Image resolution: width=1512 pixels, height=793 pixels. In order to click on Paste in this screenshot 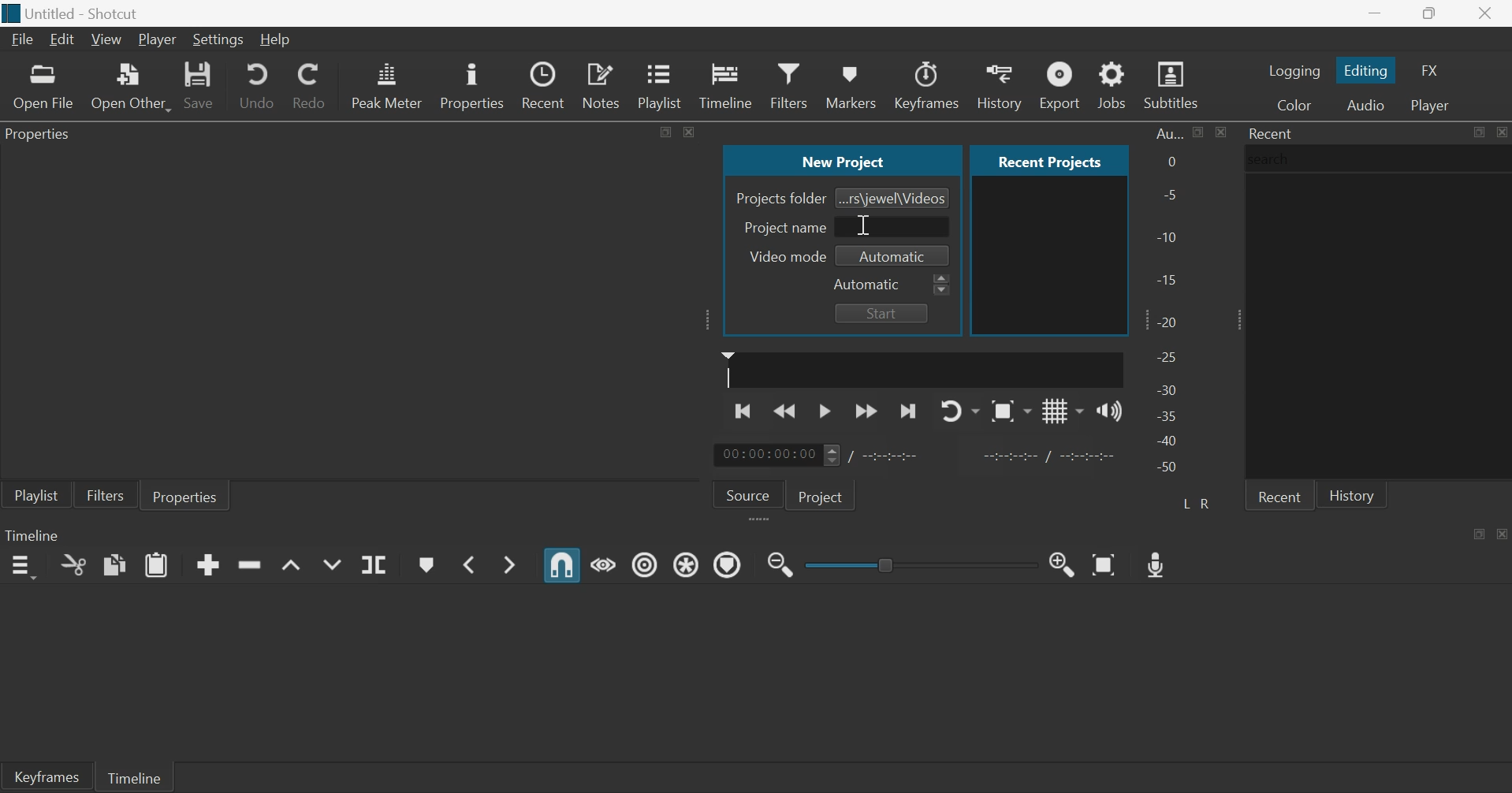, I will do `click(157, 564)`.